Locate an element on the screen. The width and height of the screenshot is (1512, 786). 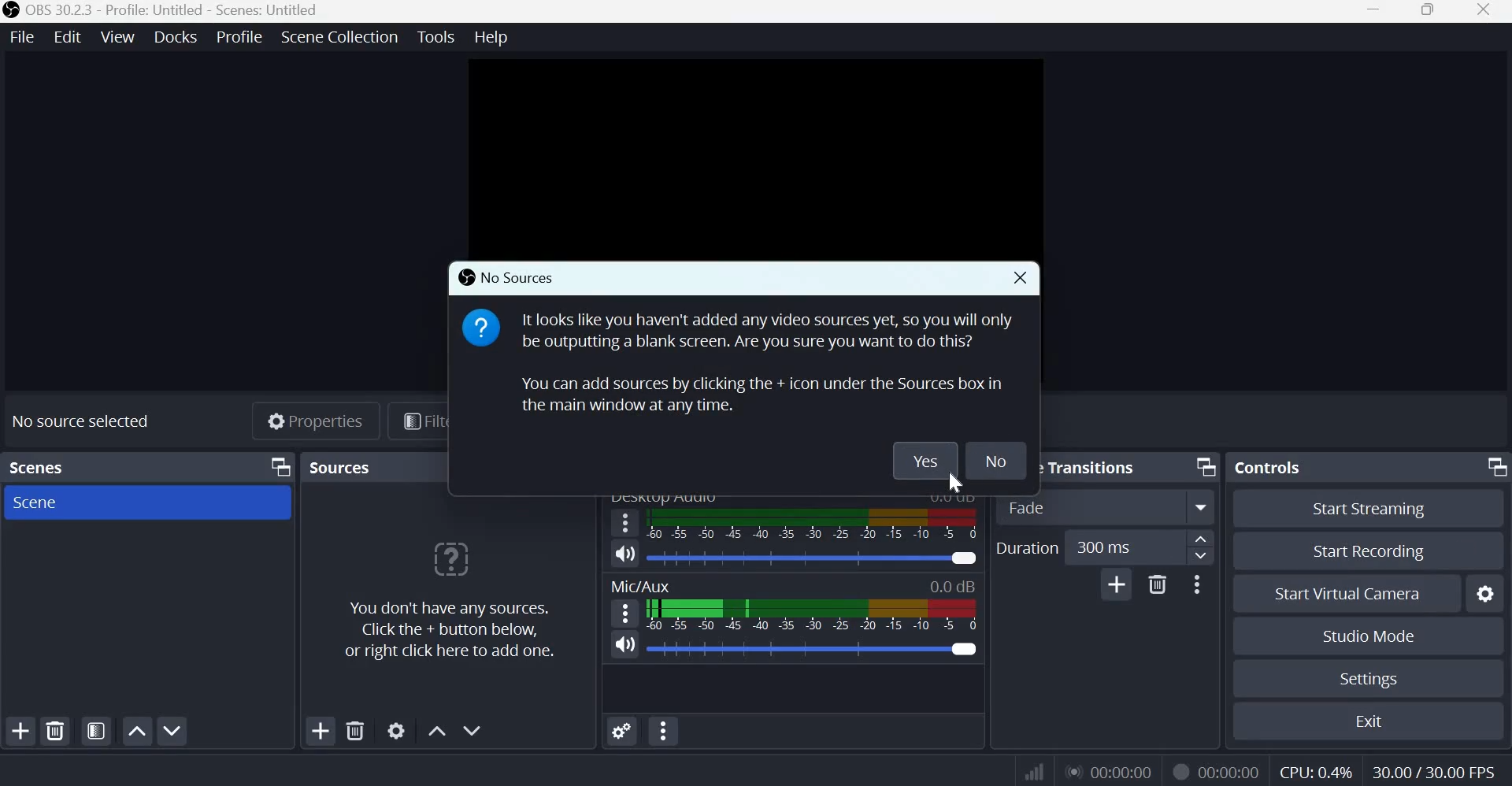
No source selected is located at coordinates (83, 422).